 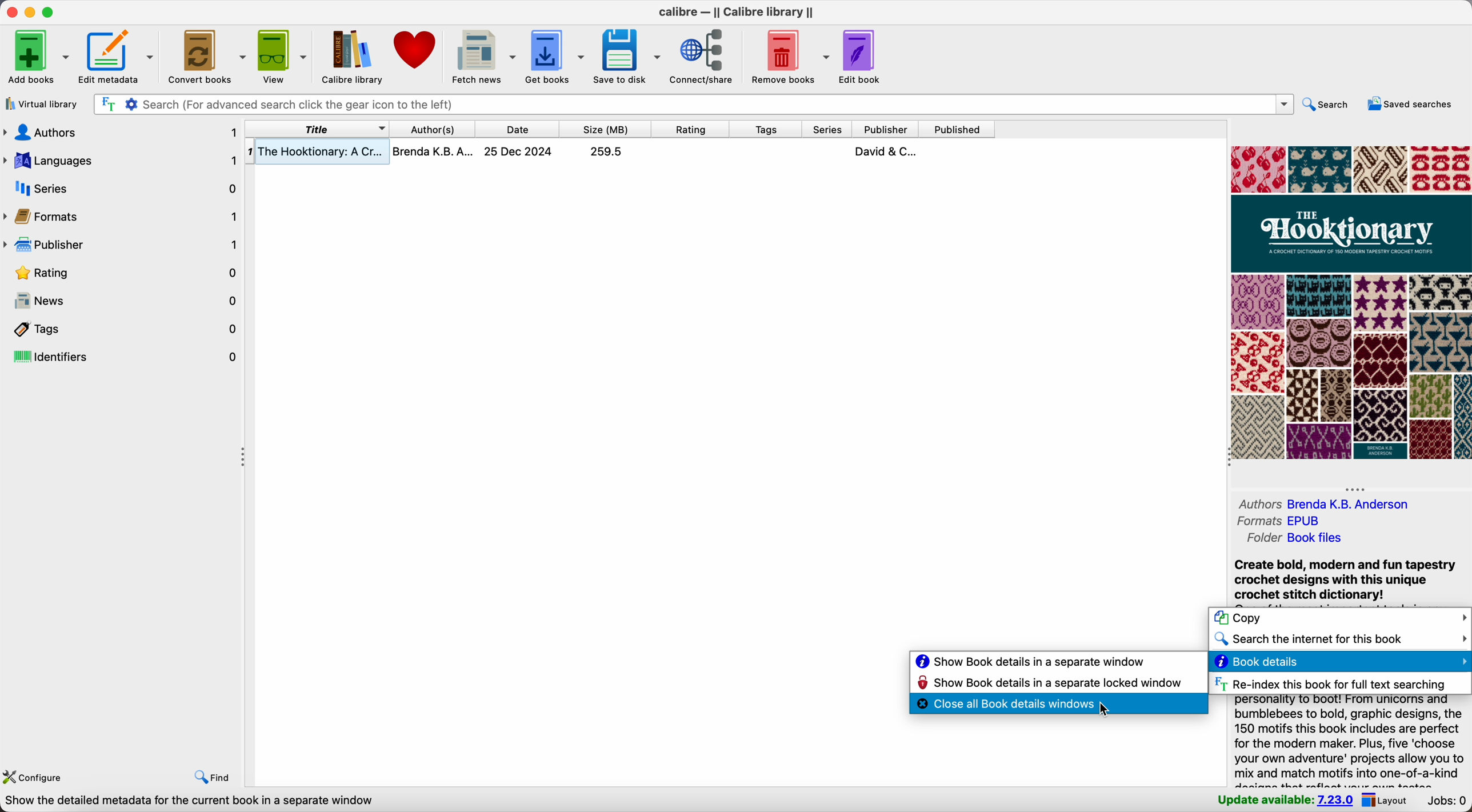 What do you see at coordinates (123, 273) in the screenshot?
I see `rating` at bounding box center [123, 273].